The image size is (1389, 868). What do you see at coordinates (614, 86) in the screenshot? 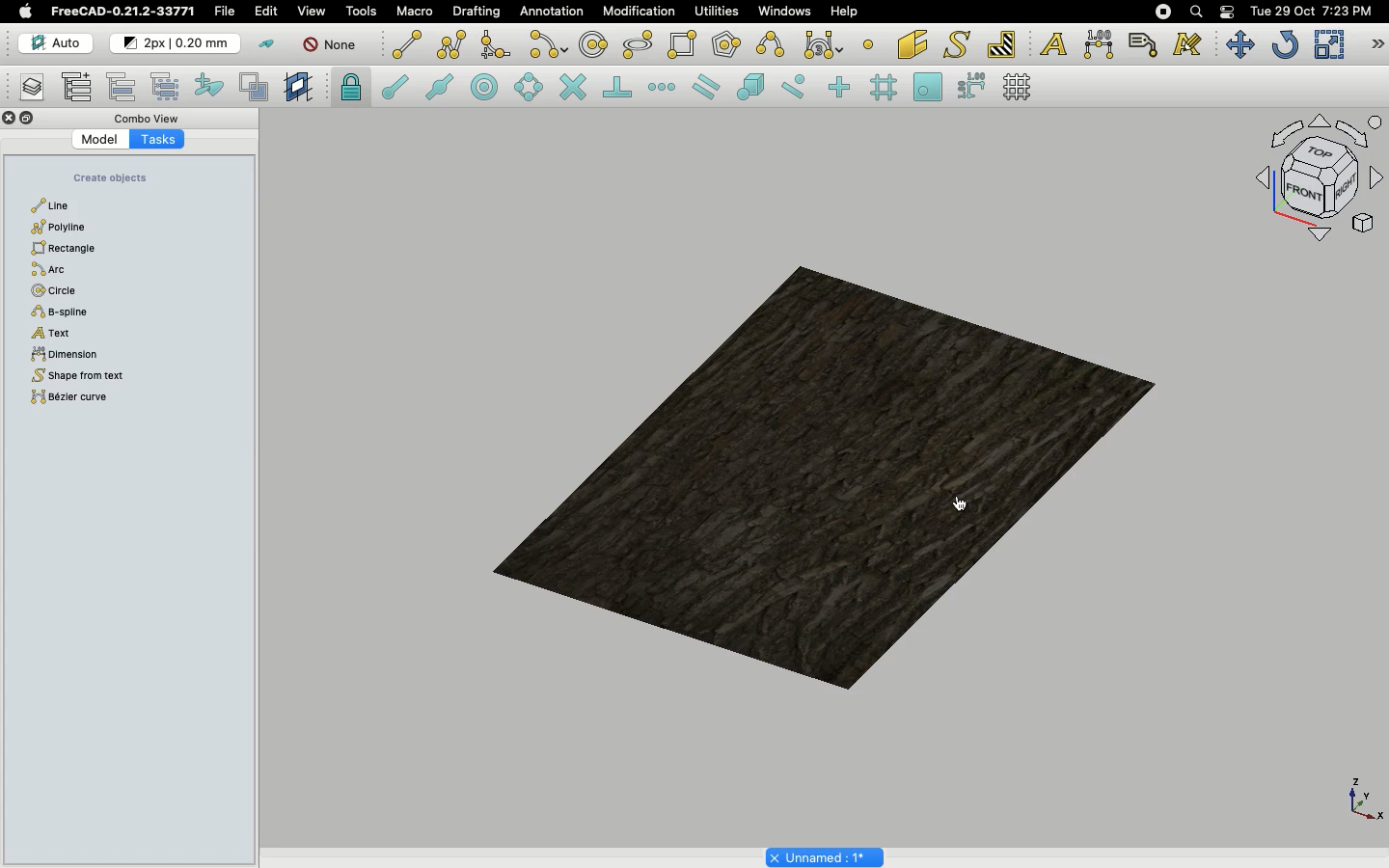
I see `Snap perpendicular` at bounding box center [614, 86].